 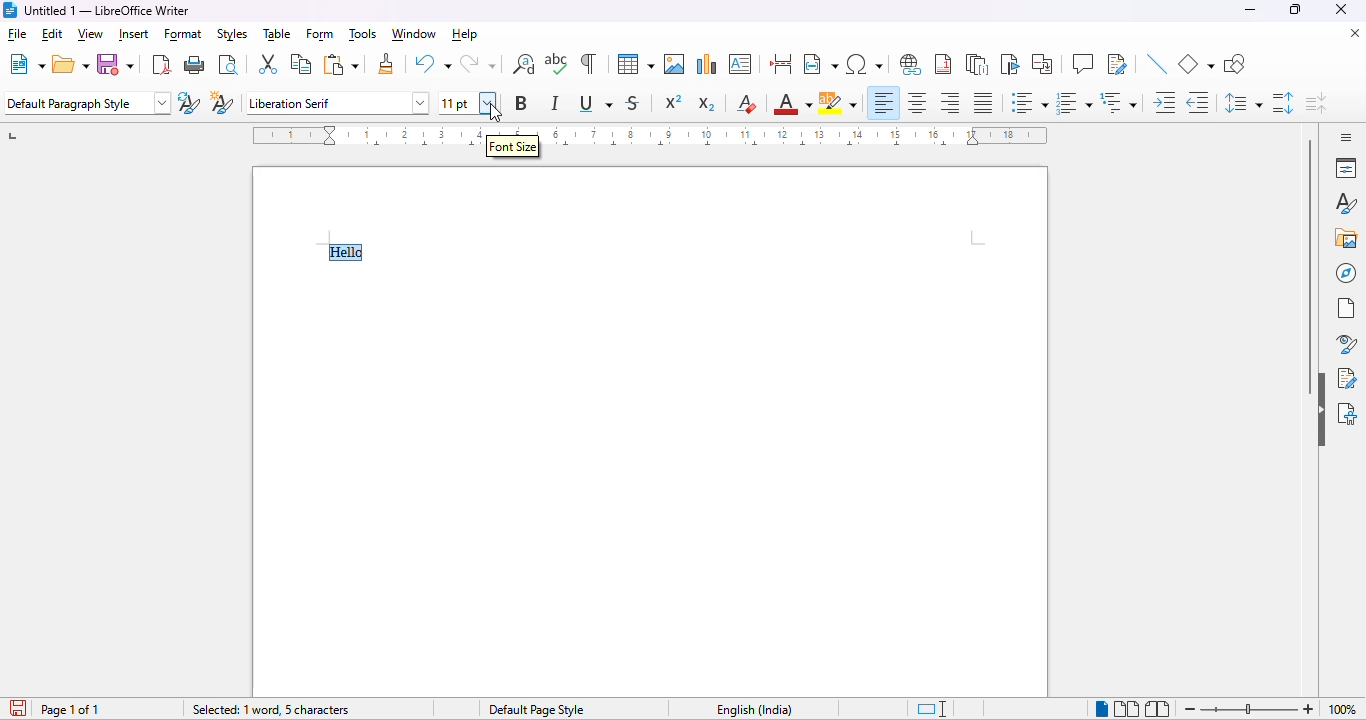 I want to click on save, so click(x=116, y=63).